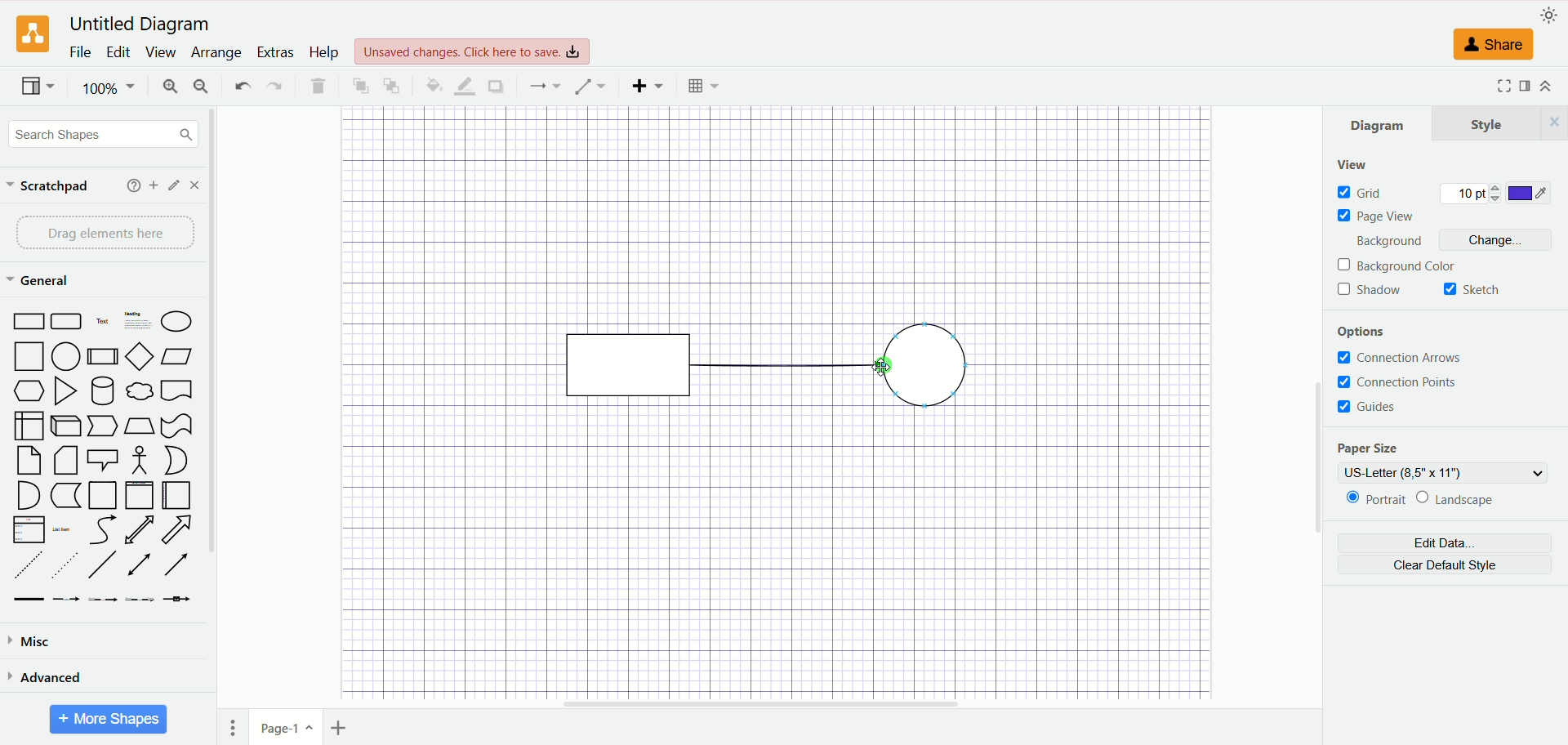 The width and height of the screenshot is (1568, 745). What do you see at coordinates (101, 495) in the screenshot?
I see `Page` at bounding box center [101, 495].